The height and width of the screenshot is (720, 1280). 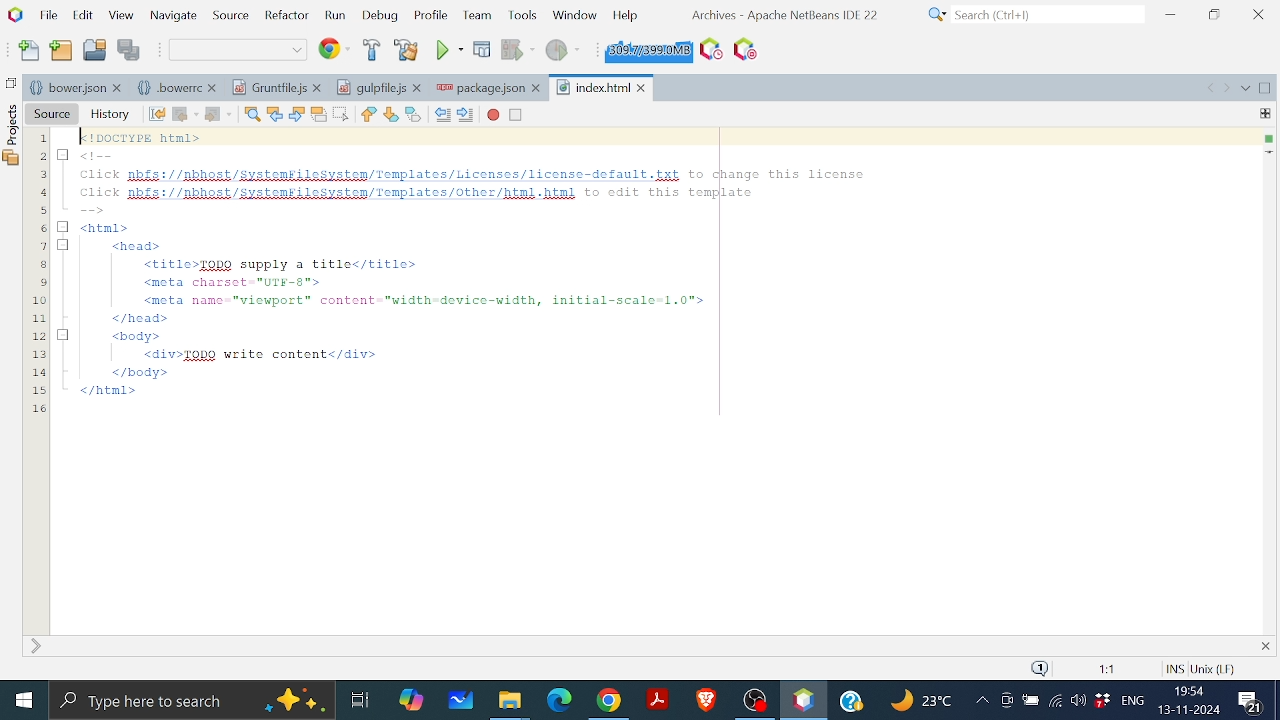 What do you see at coordinates (150, 115) in the screenshot?
I see `Last edit` at bounding box center [150, 115].